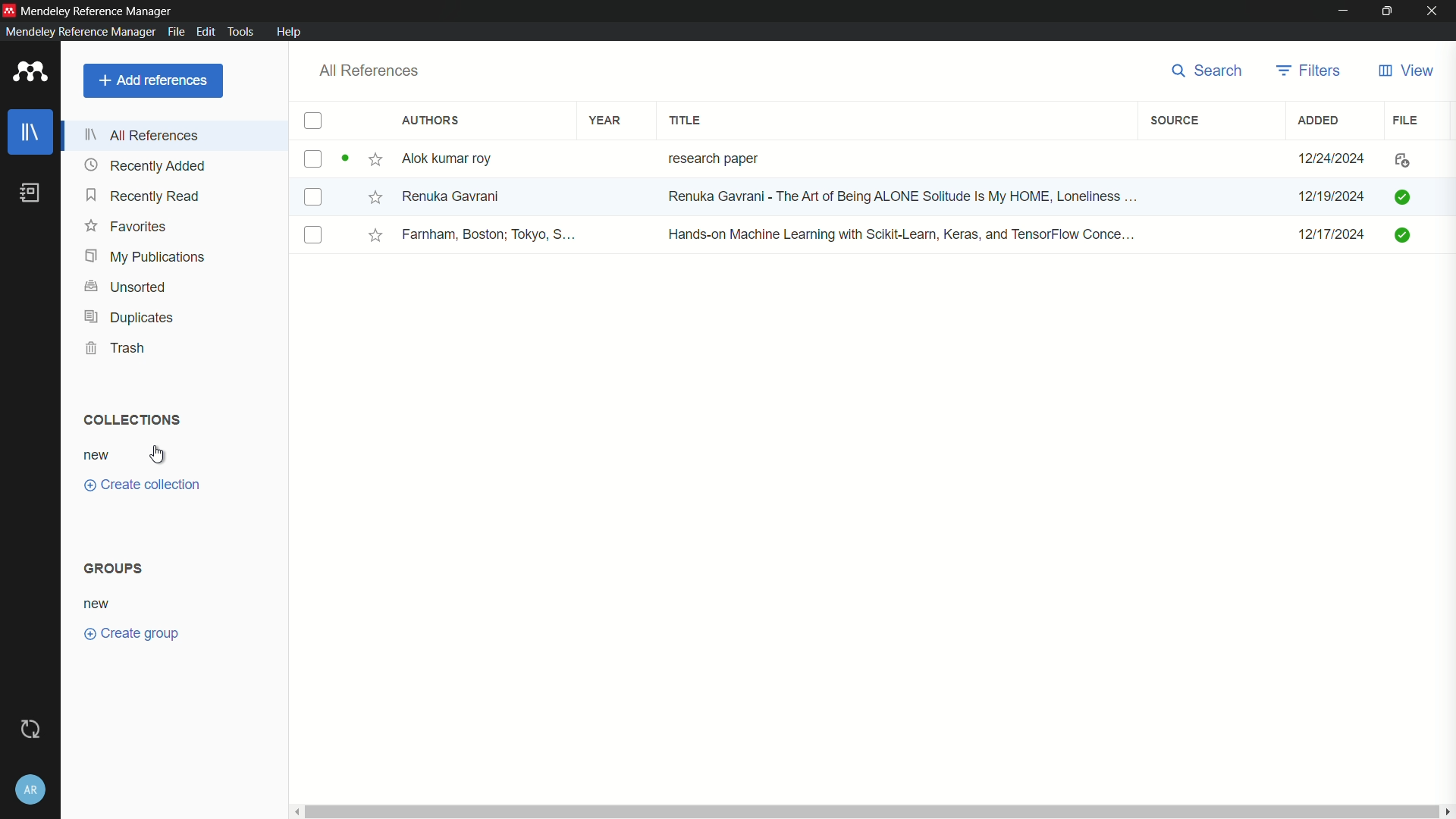 The width and height of the screenshot is (1456, 819). What do you see at coordinates (1323, 234) in the screenshot?
I see `12/17/2024` at bounding box center [1323, 234].